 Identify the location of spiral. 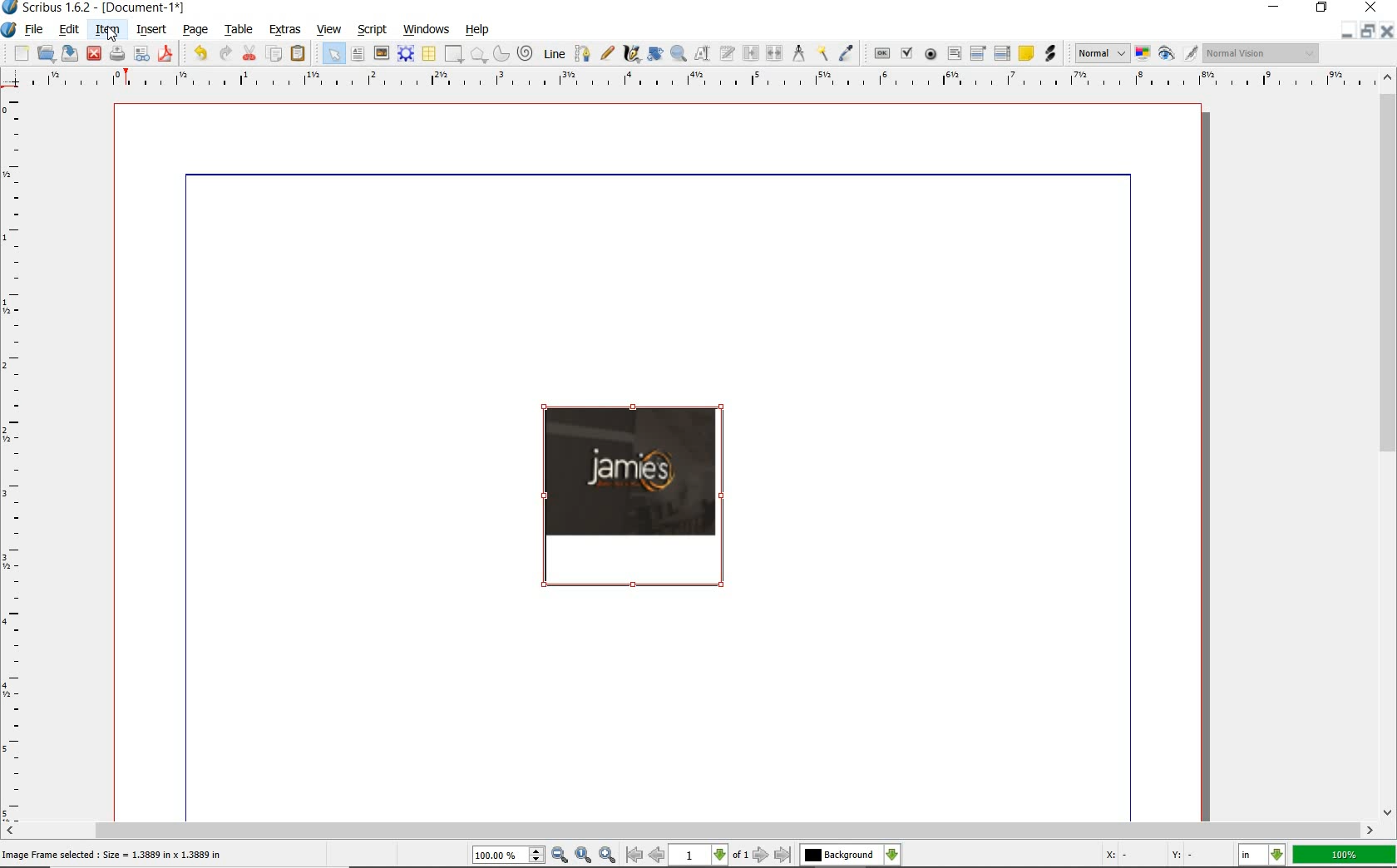
(526, 52).